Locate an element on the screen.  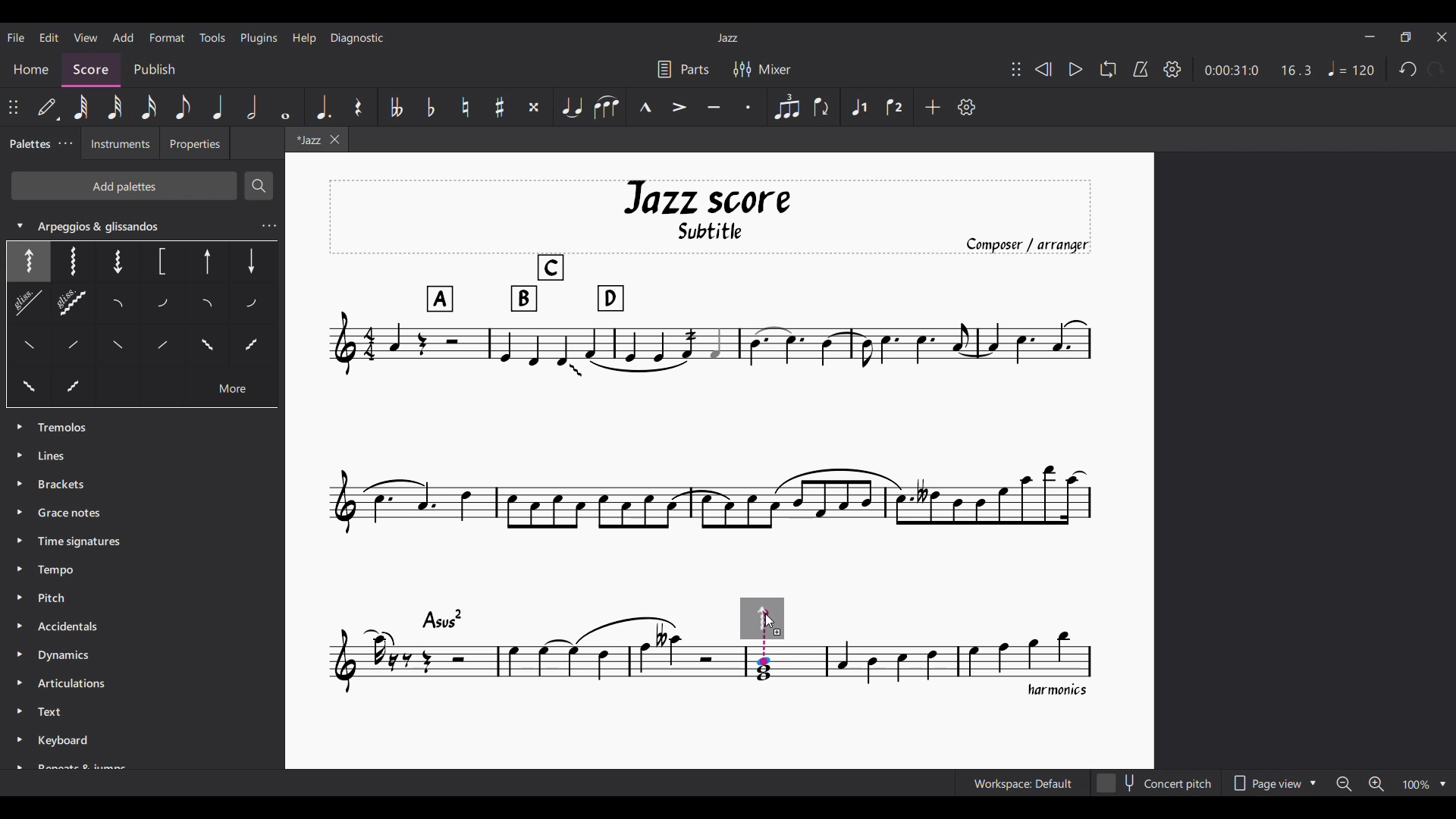
Tempo is located at coordinates (59, 568).